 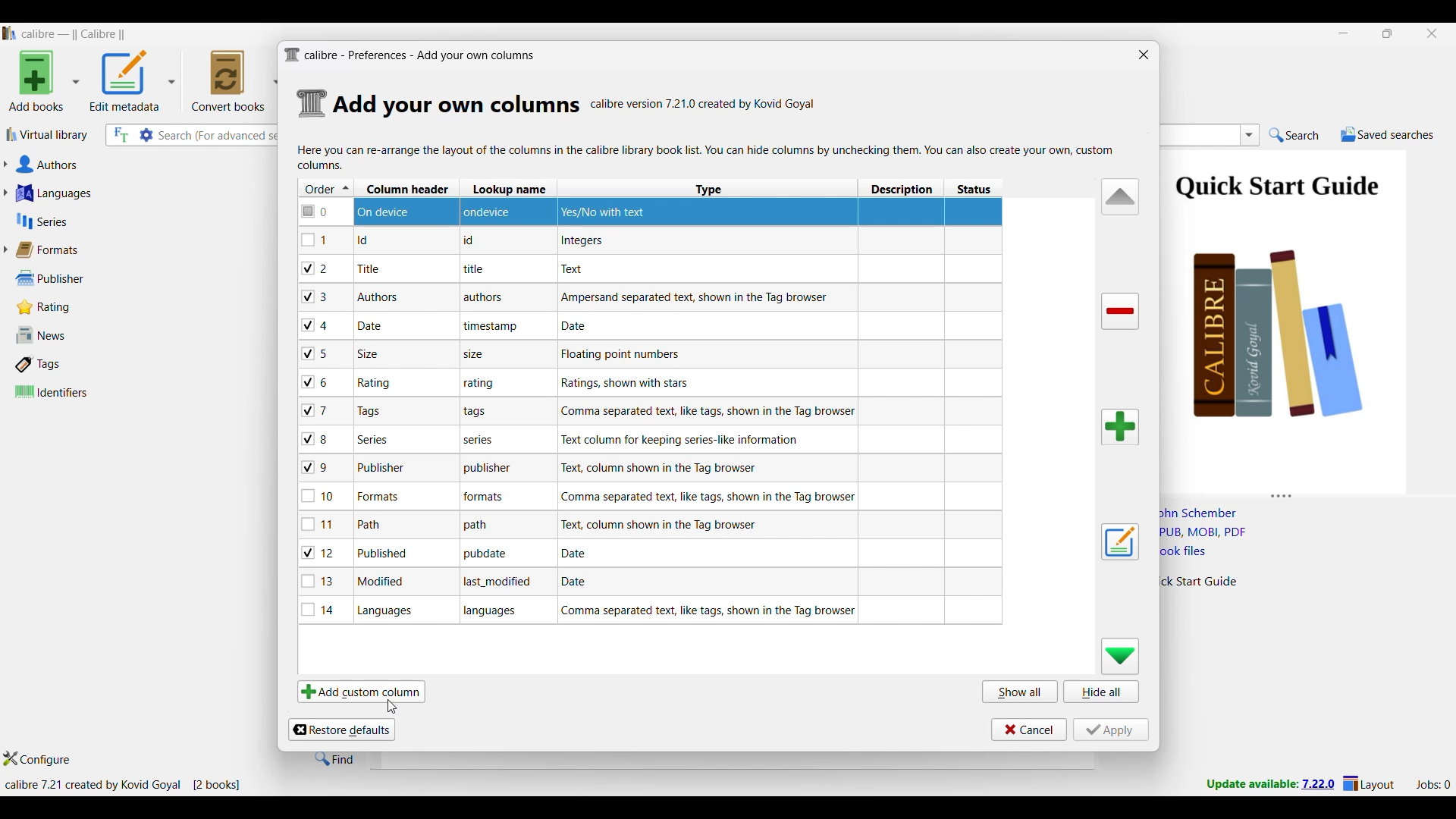 What do you see at coordinates (379, 468) in the screenshot?
I see `Note` at bounding box center [379, 468].